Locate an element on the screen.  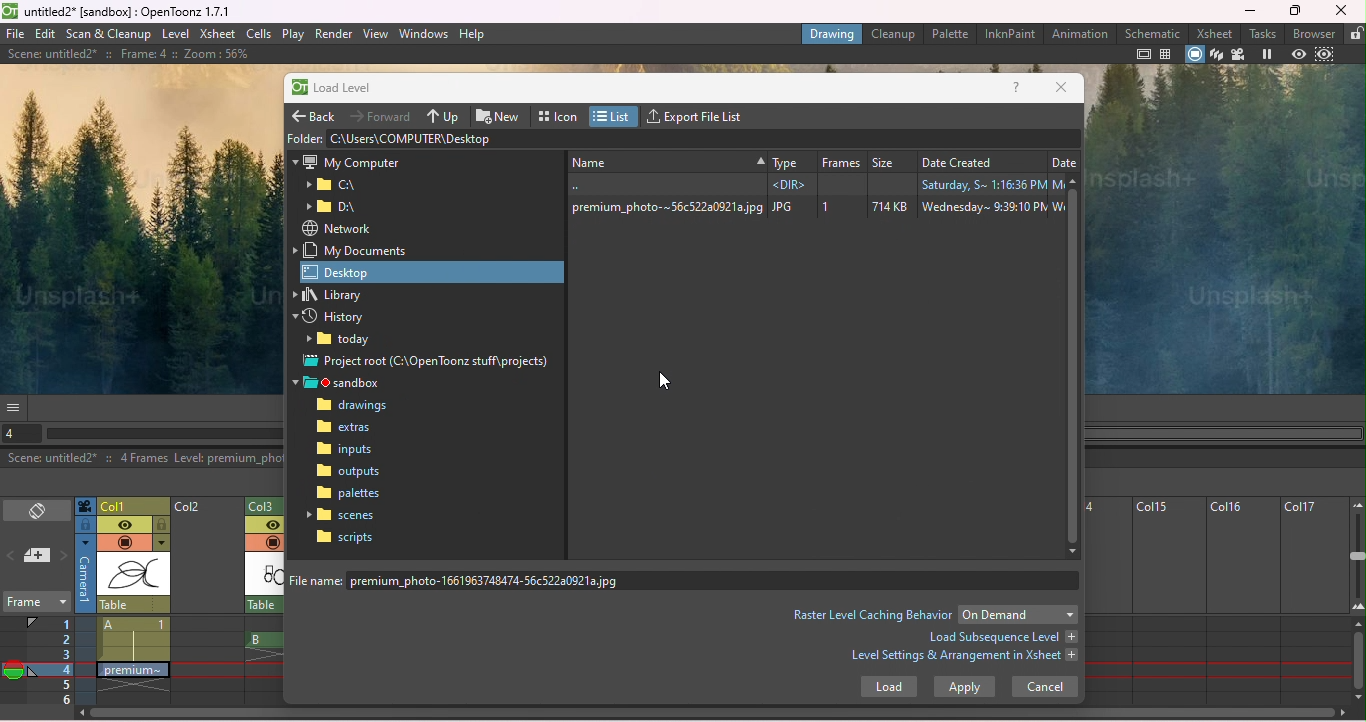
Network is located at coordinates (336, 228).